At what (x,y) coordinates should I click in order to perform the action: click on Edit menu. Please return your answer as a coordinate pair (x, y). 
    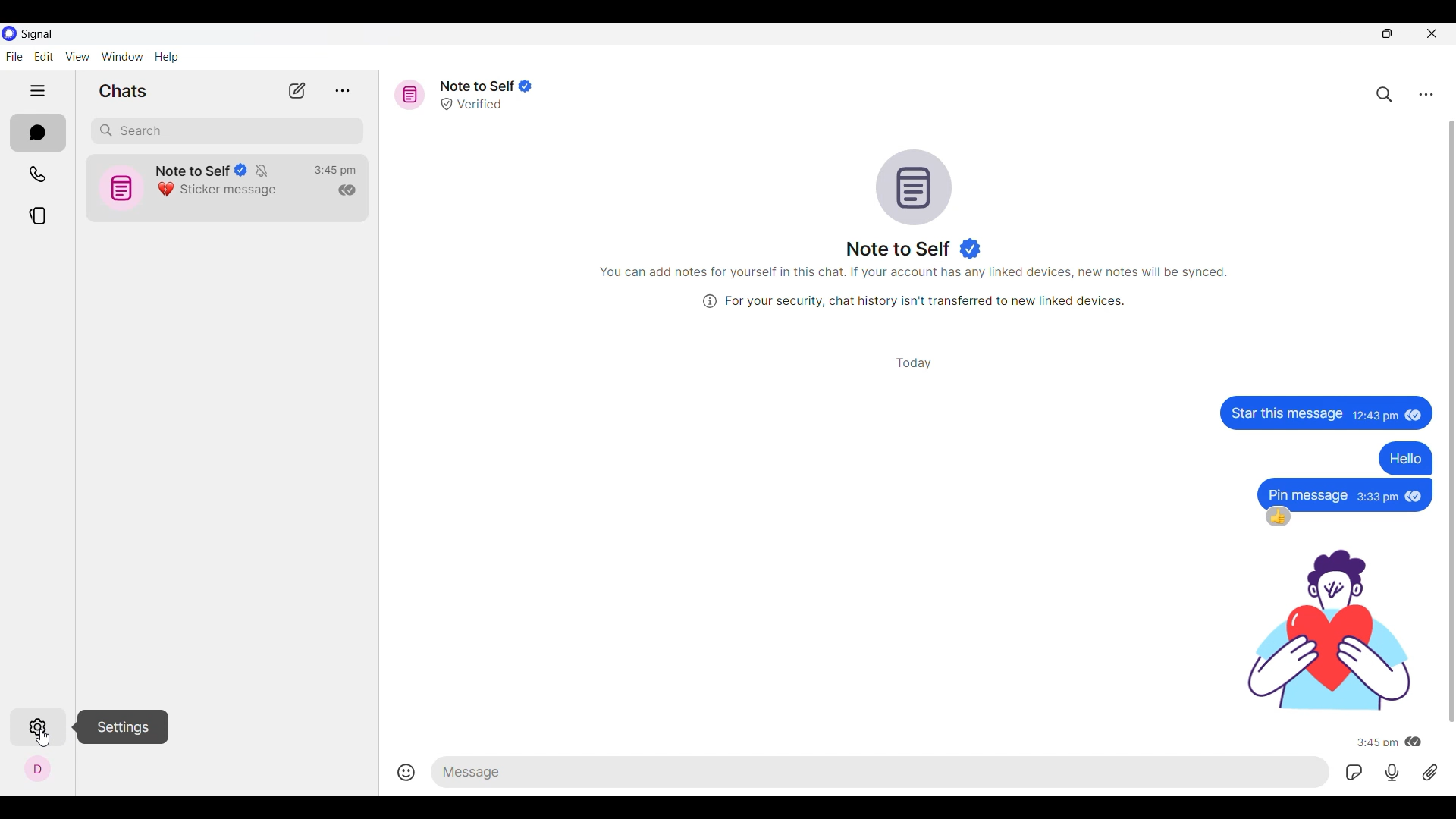
    Looking at the image, I should click on (45, 57).